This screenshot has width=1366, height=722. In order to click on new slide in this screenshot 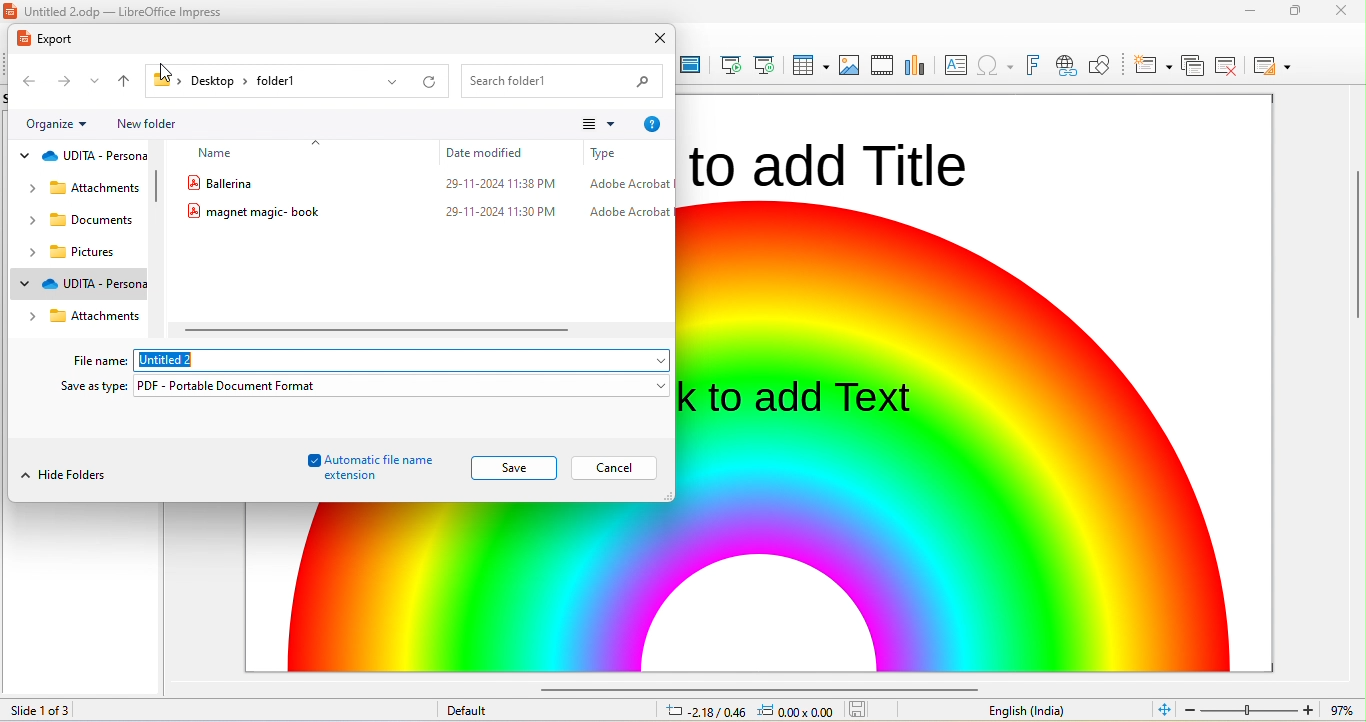, I will do `click(1152, 64)`.